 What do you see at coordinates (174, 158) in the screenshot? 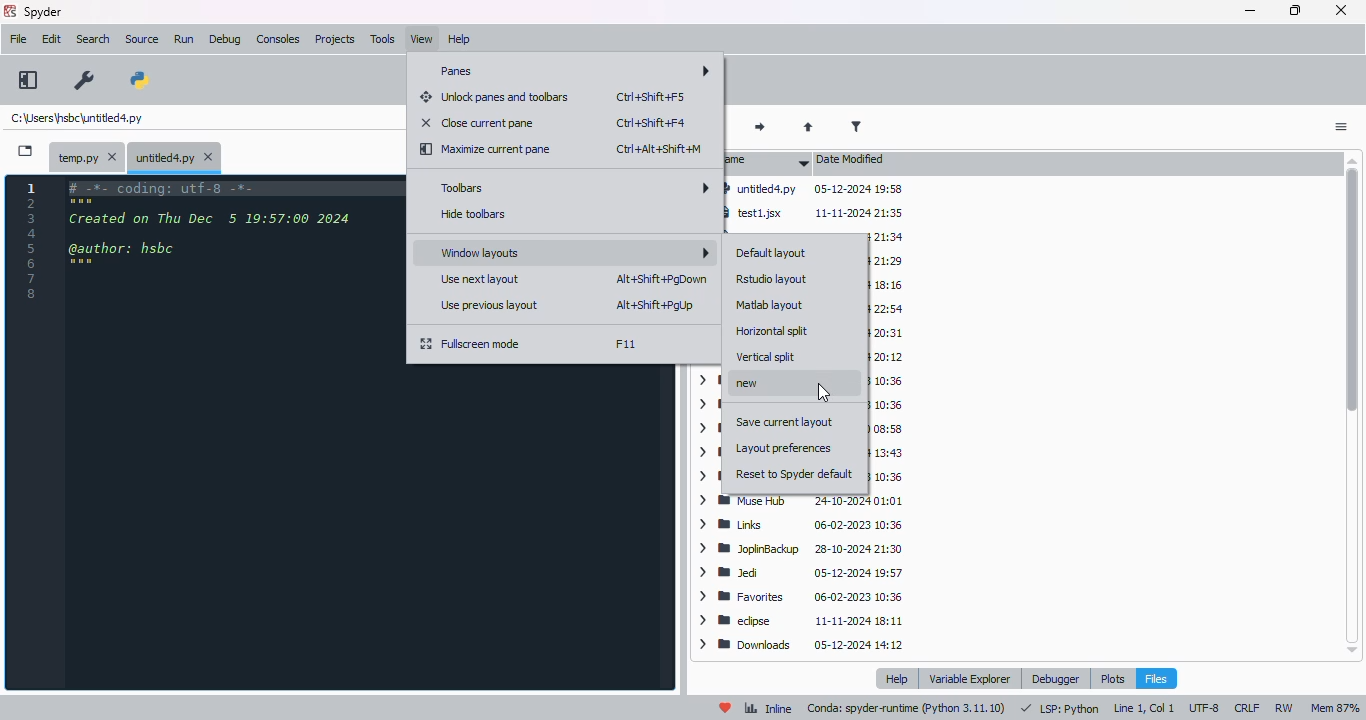
I see `untitled4.py` at bounding box center [174, 158].